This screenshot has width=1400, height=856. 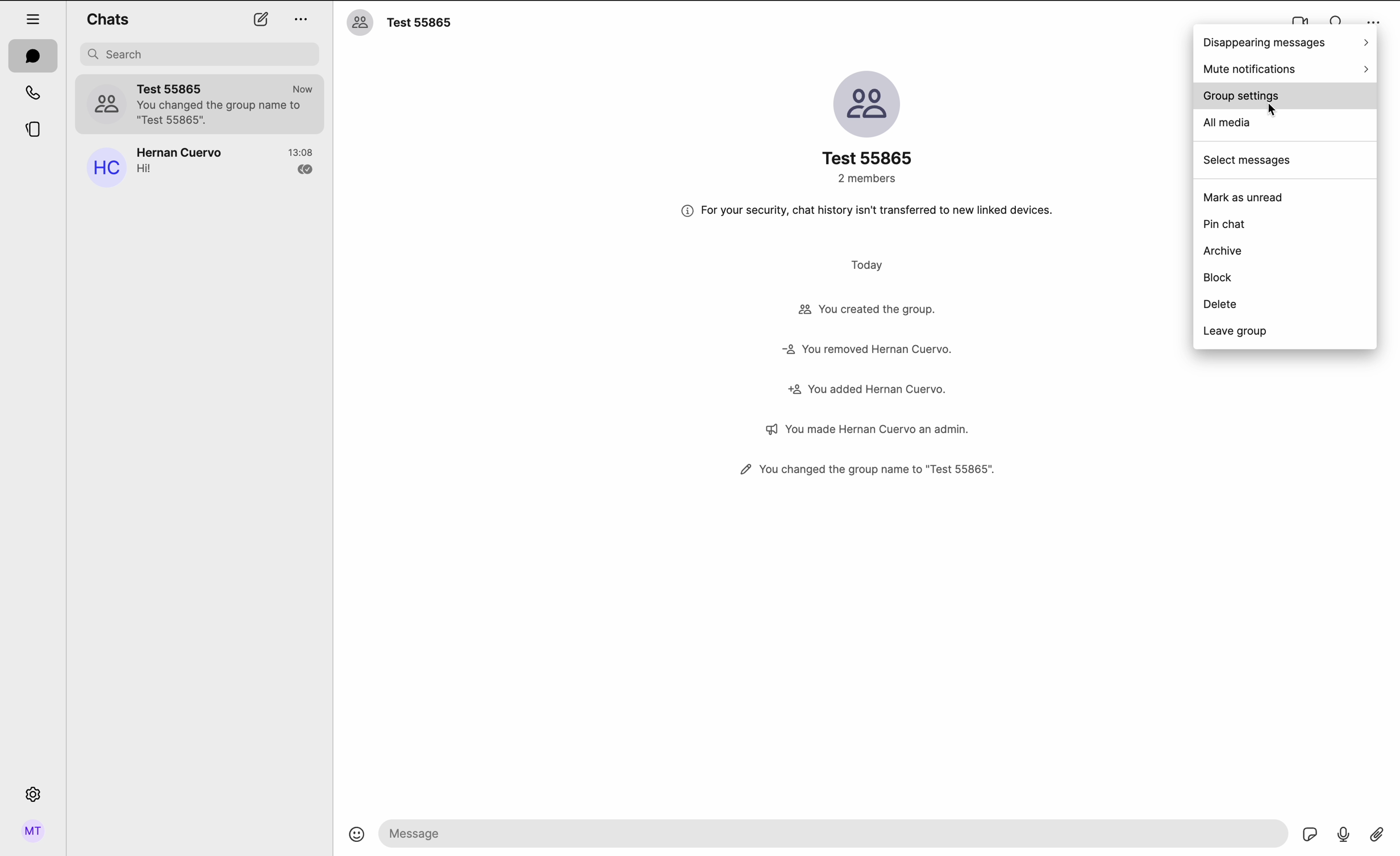 What do you see at coordinates (1220, 277) in the screenshot?
I see `block` at bounding box center [1220, 277].